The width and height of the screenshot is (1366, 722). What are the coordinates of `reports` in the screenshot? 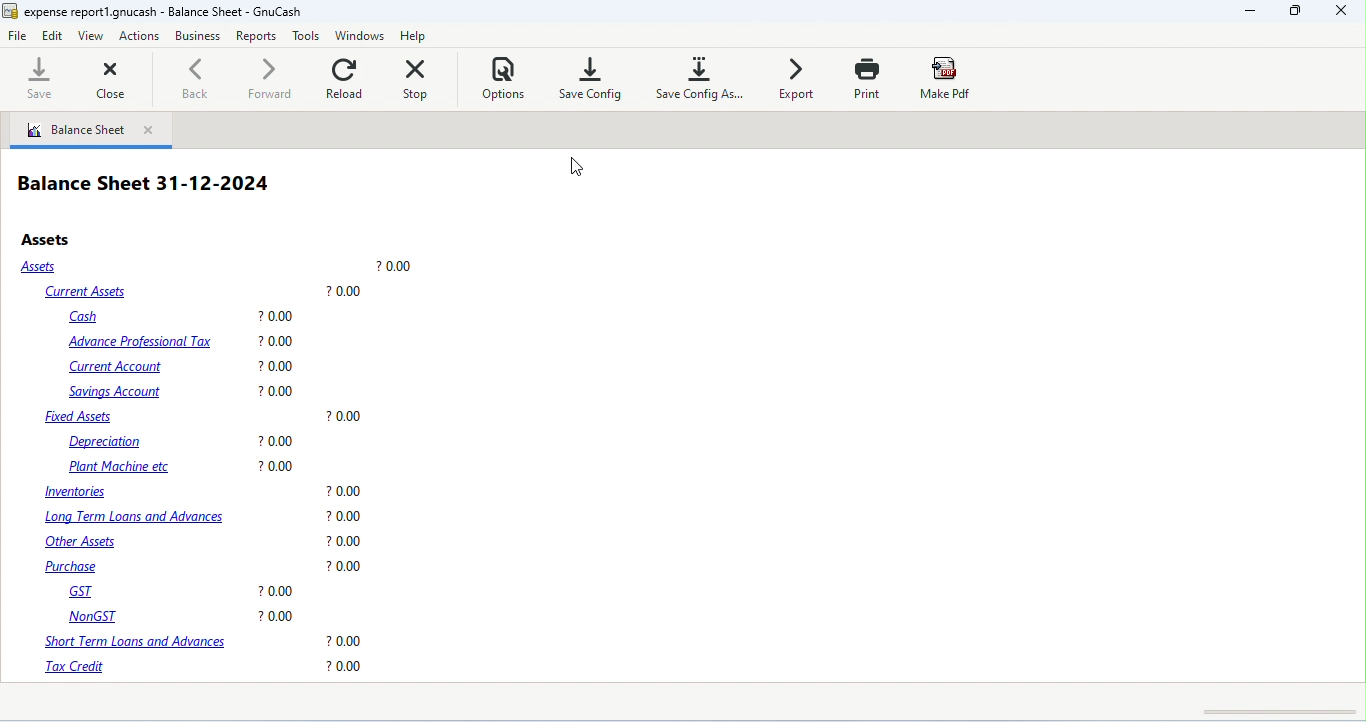 It's located at (255, 35).